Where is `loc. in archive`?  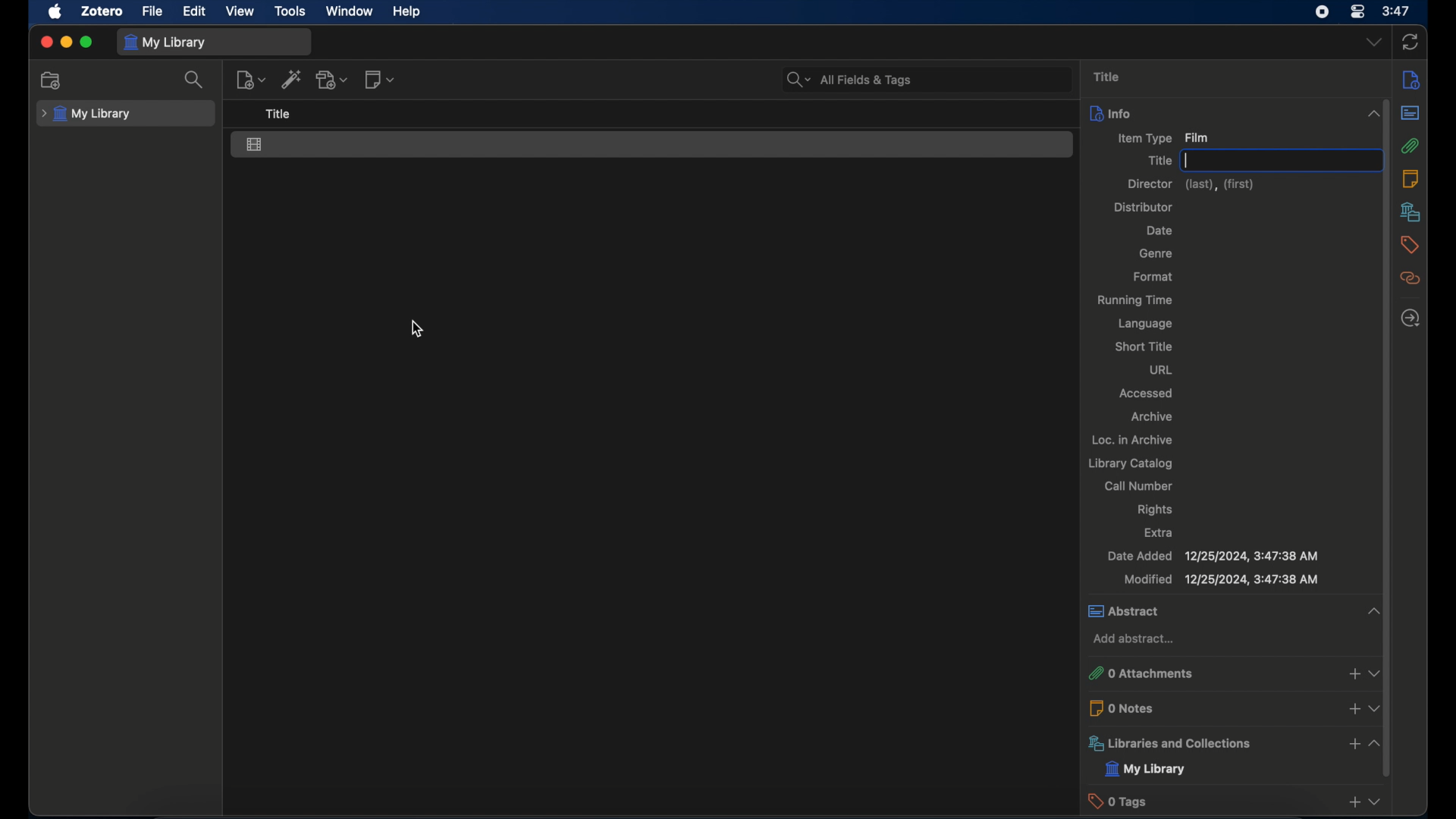 loc. in archive is located at coordinates (1132, 440).